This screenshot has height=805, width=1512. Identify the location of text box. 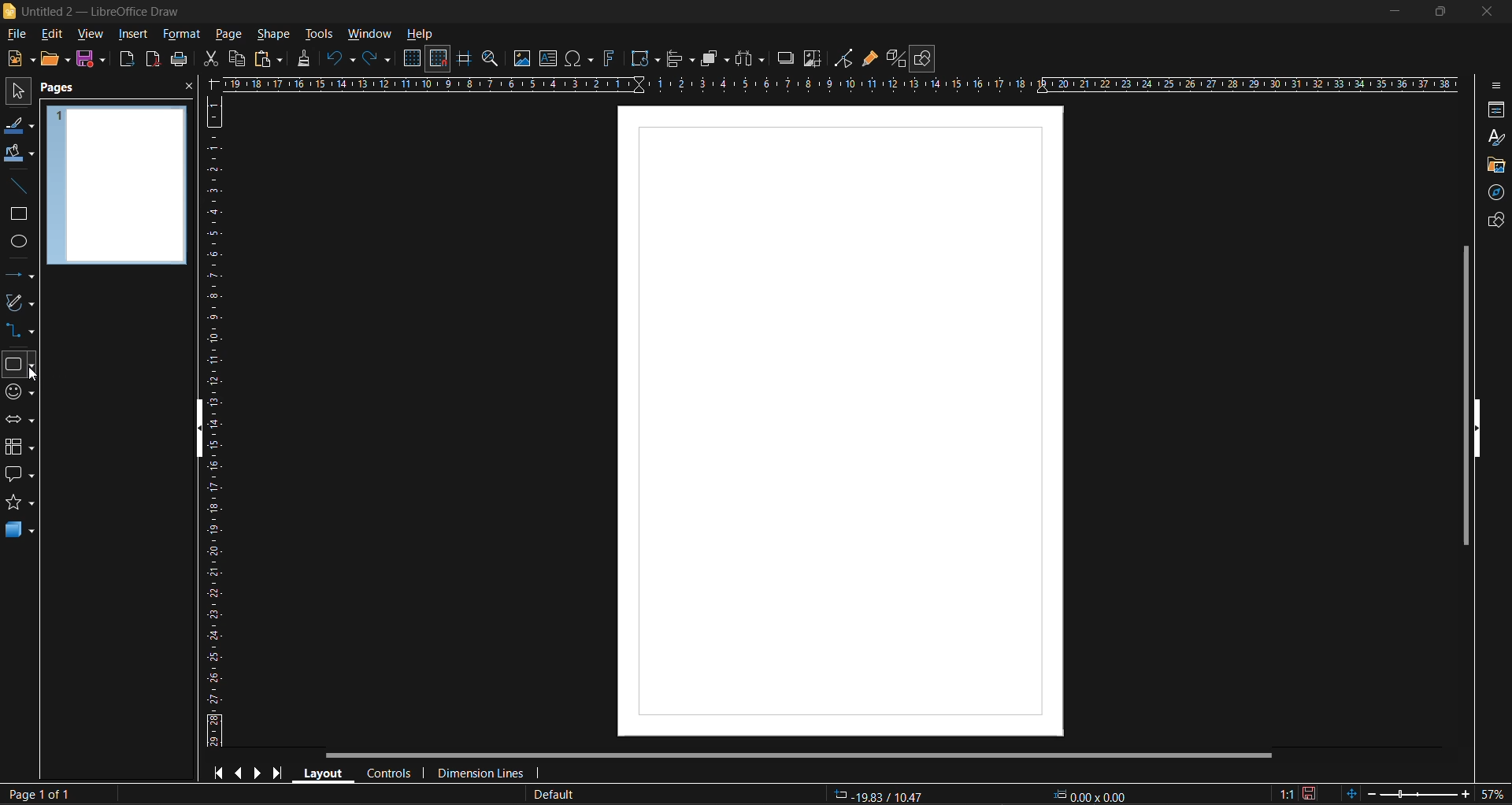
(551, 58).